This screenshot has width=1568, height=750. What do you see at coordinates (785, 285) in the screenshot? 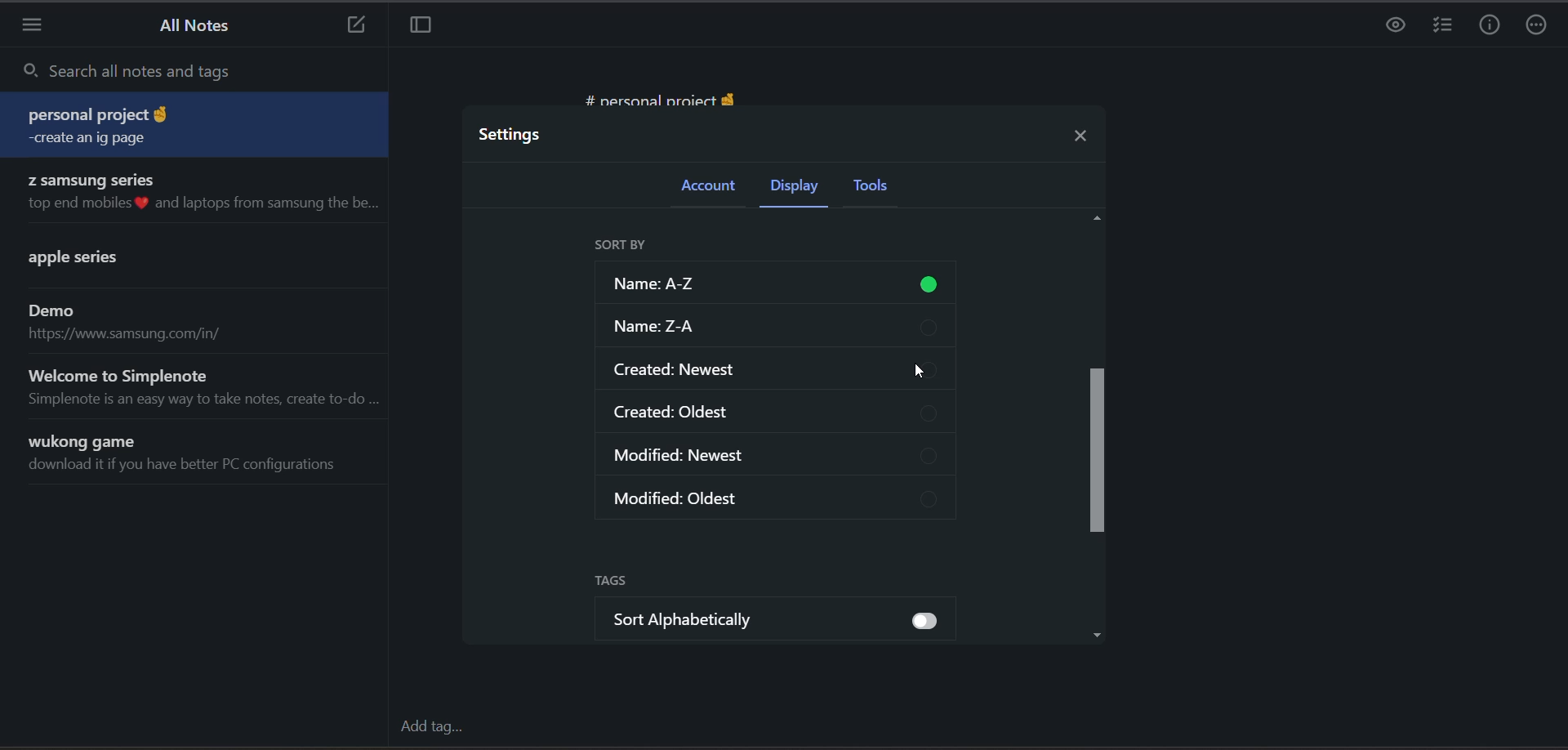
I see `sort a-z` at bounding box center [785, 285].